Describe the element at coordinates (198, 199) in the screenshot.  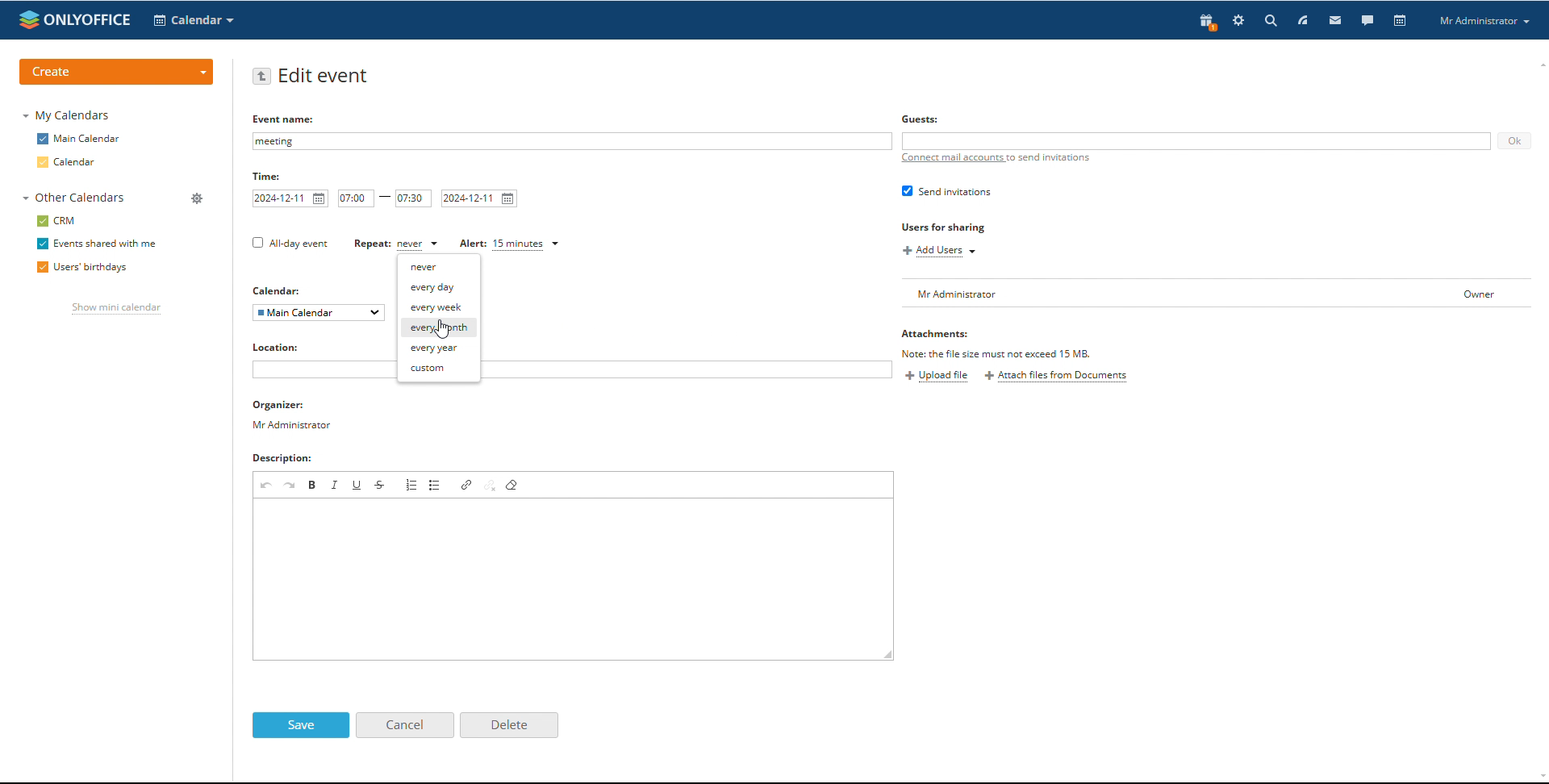
I see `manage` at that location.